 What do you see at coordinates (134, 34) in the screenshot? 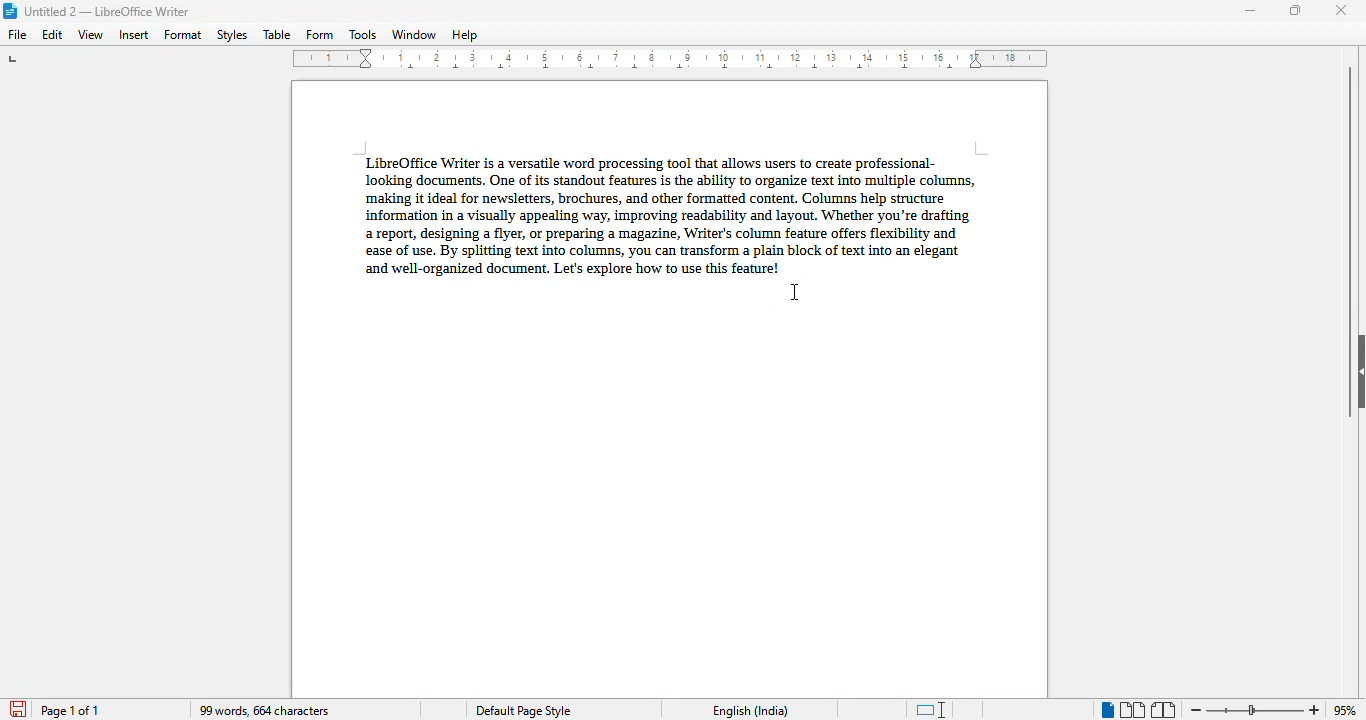
I see `insert` at bounding box center [134, 34].